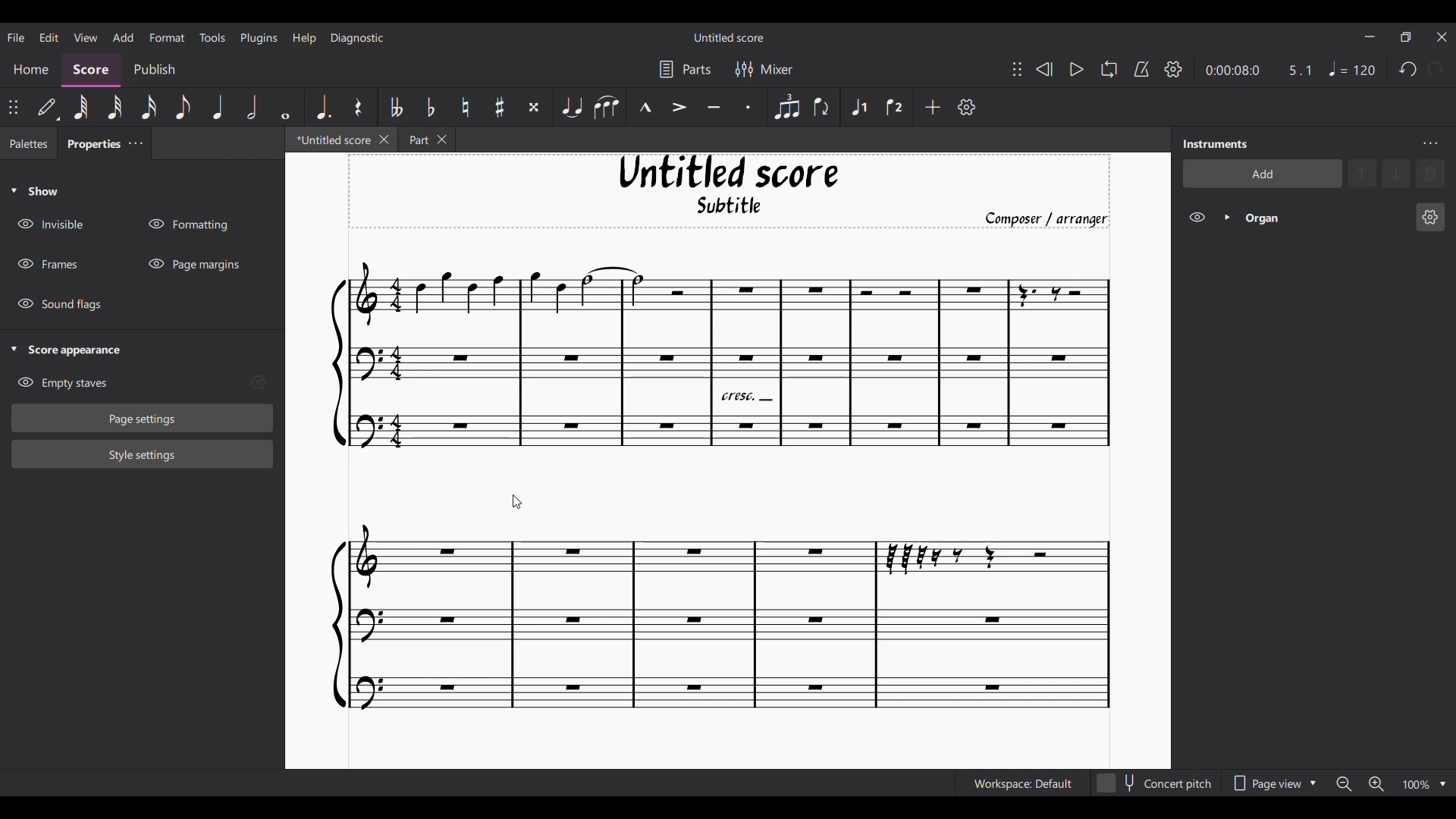  What do you see at coordinates (1173, 69) in the screenshot?
I see `Playback settings` at bounding box center [1173, 69].